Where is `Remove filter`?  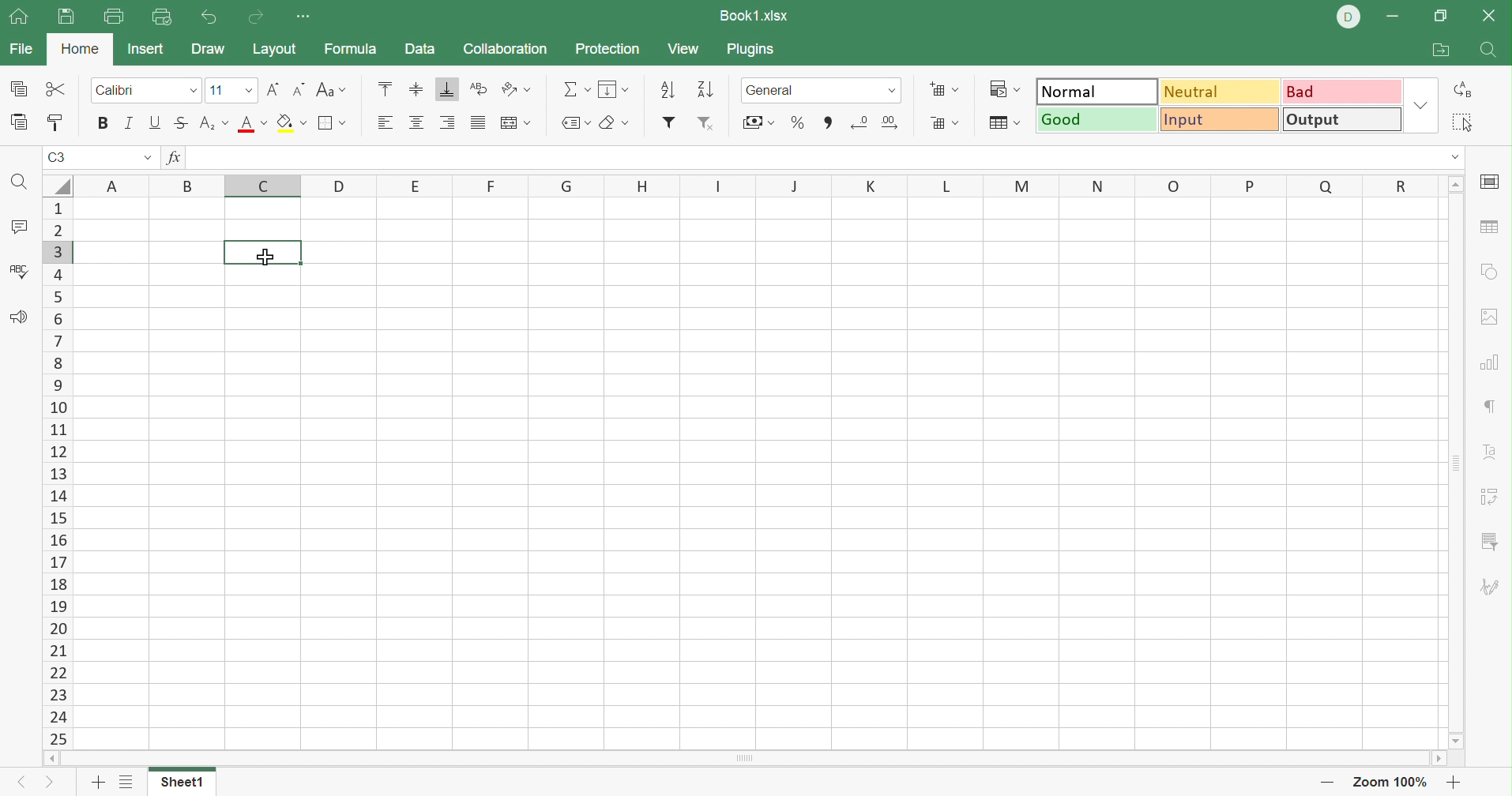 Remove filter is located at coordinates (706, 125).